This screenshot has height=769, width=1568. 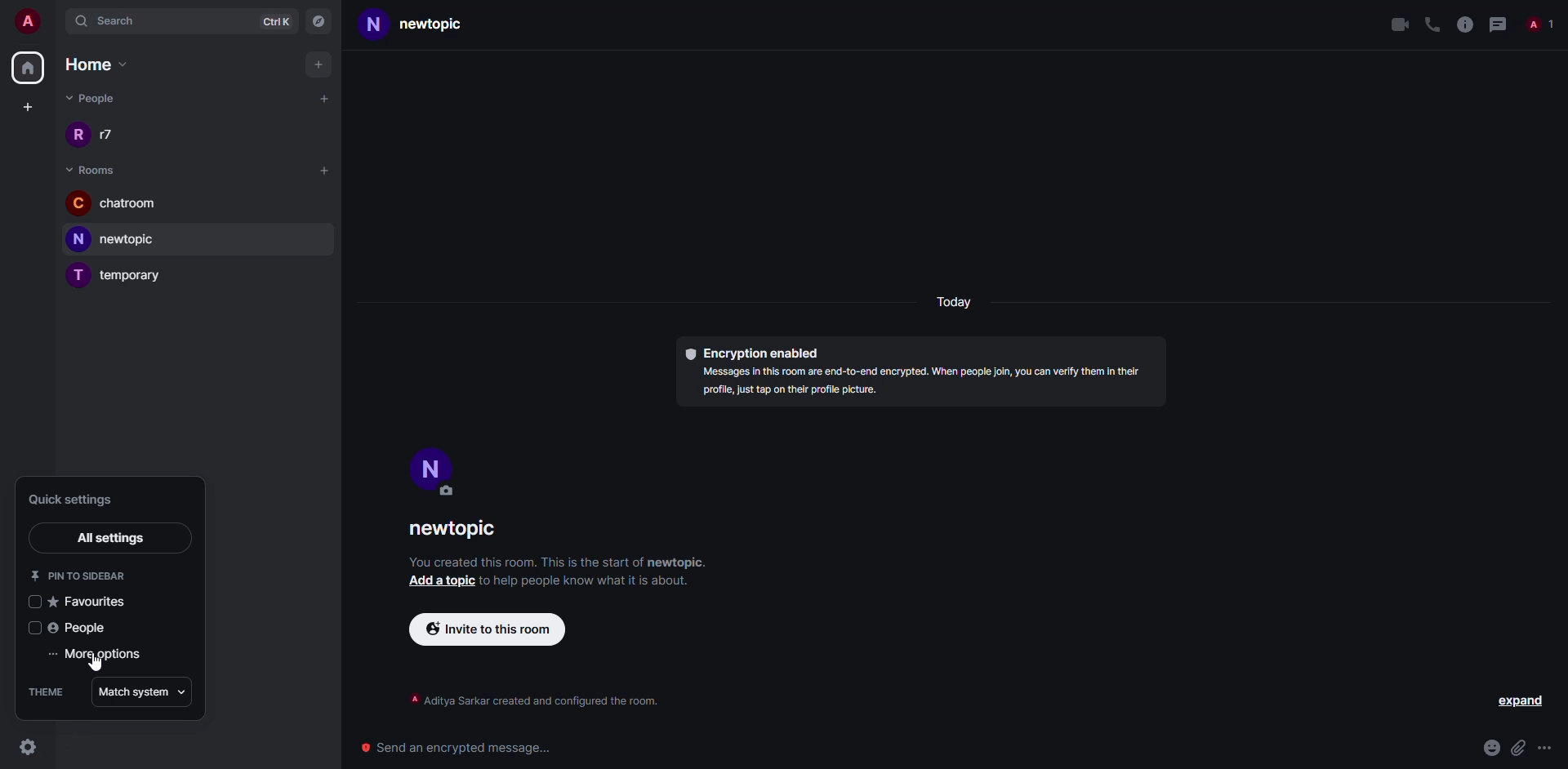 I want to click on day, so click(x=952, y=298).